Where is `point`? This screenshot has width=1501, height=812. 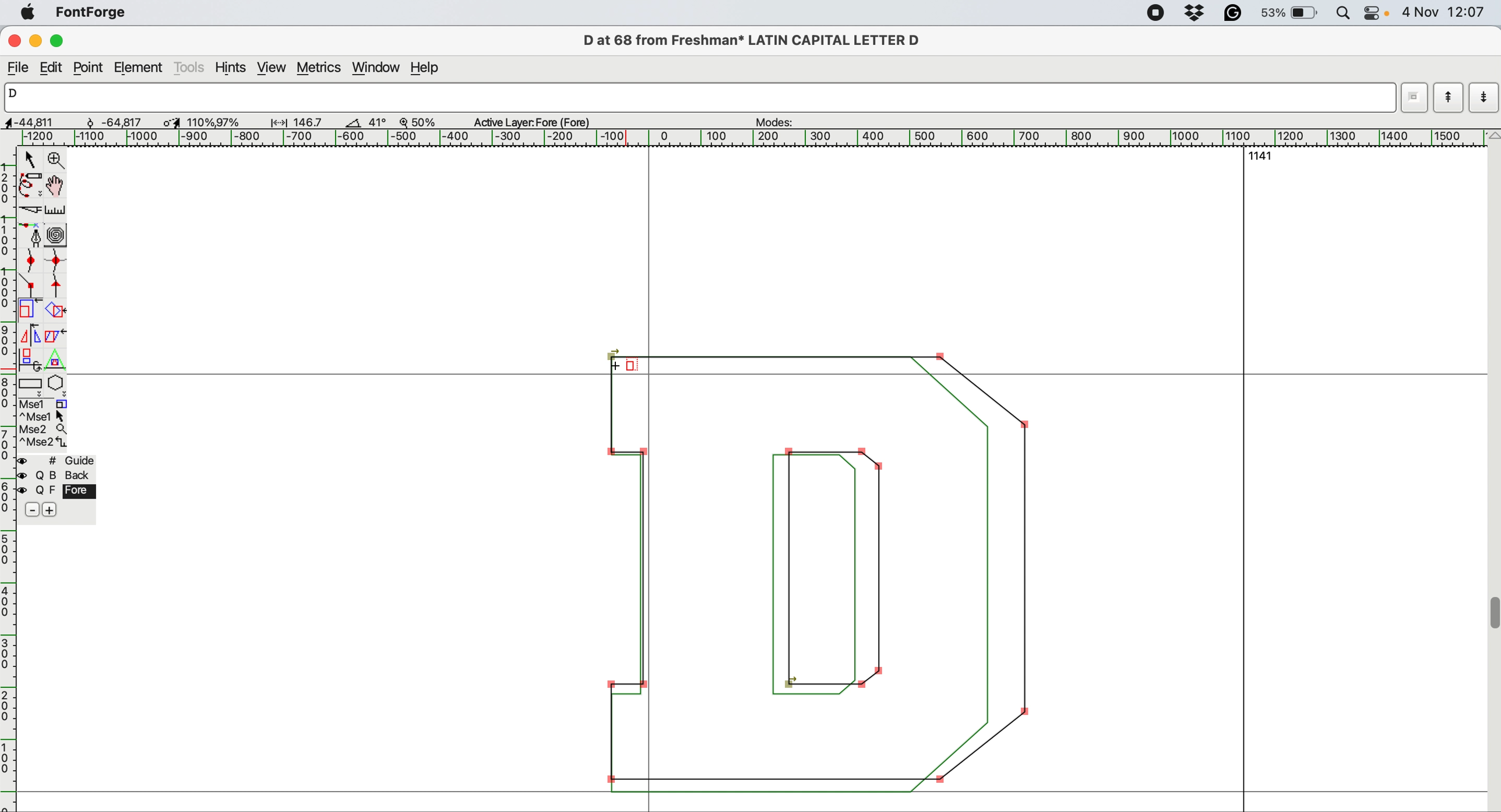
point is located at coordinates (89, 68).